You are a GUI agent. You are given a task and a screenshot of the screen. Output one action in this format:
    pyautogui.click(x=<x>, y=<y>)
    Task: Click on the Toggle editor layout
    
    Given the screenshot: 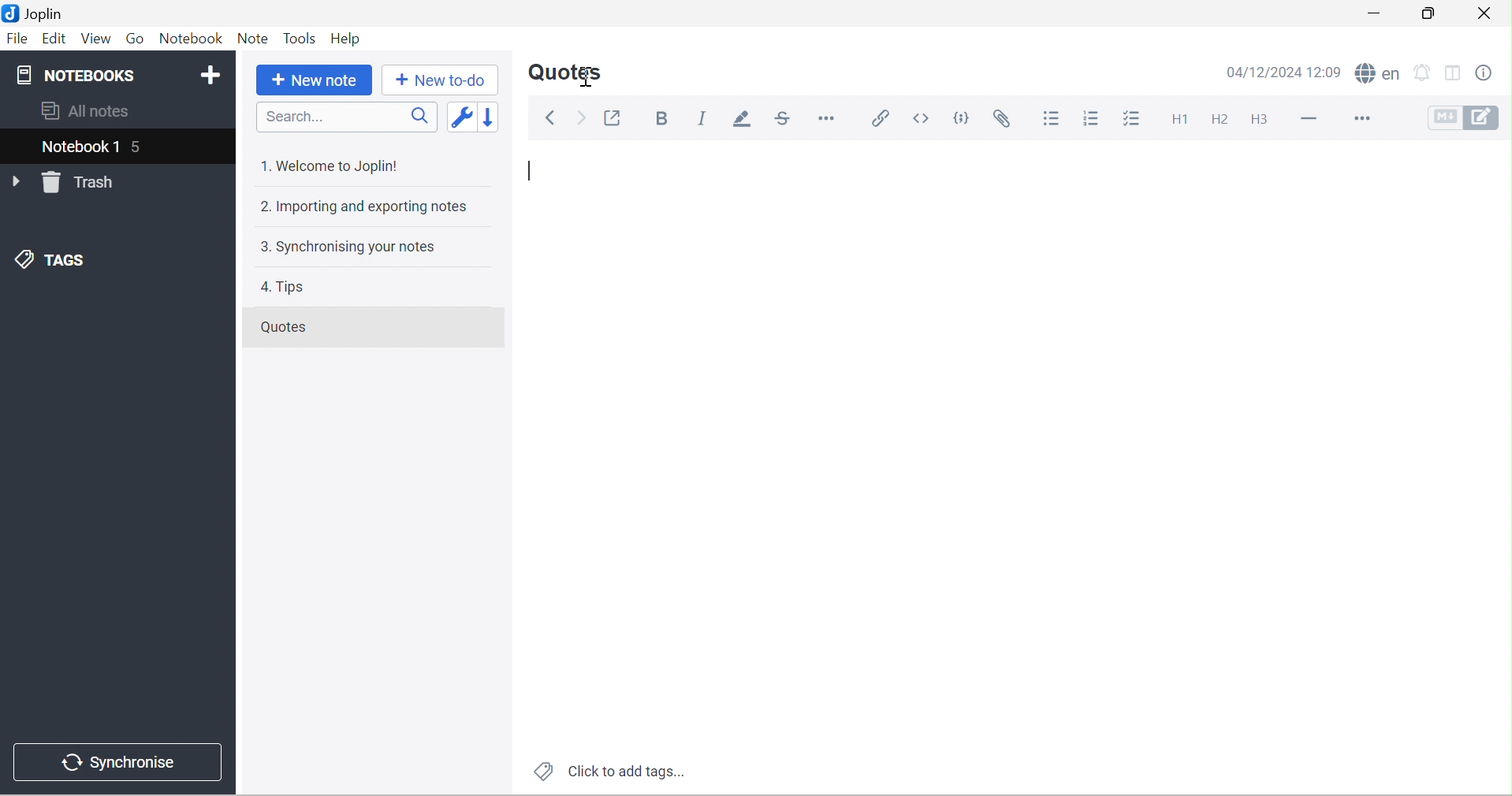 What is the action you would take?
    pyautogui.click(x=1456, y=71)
    